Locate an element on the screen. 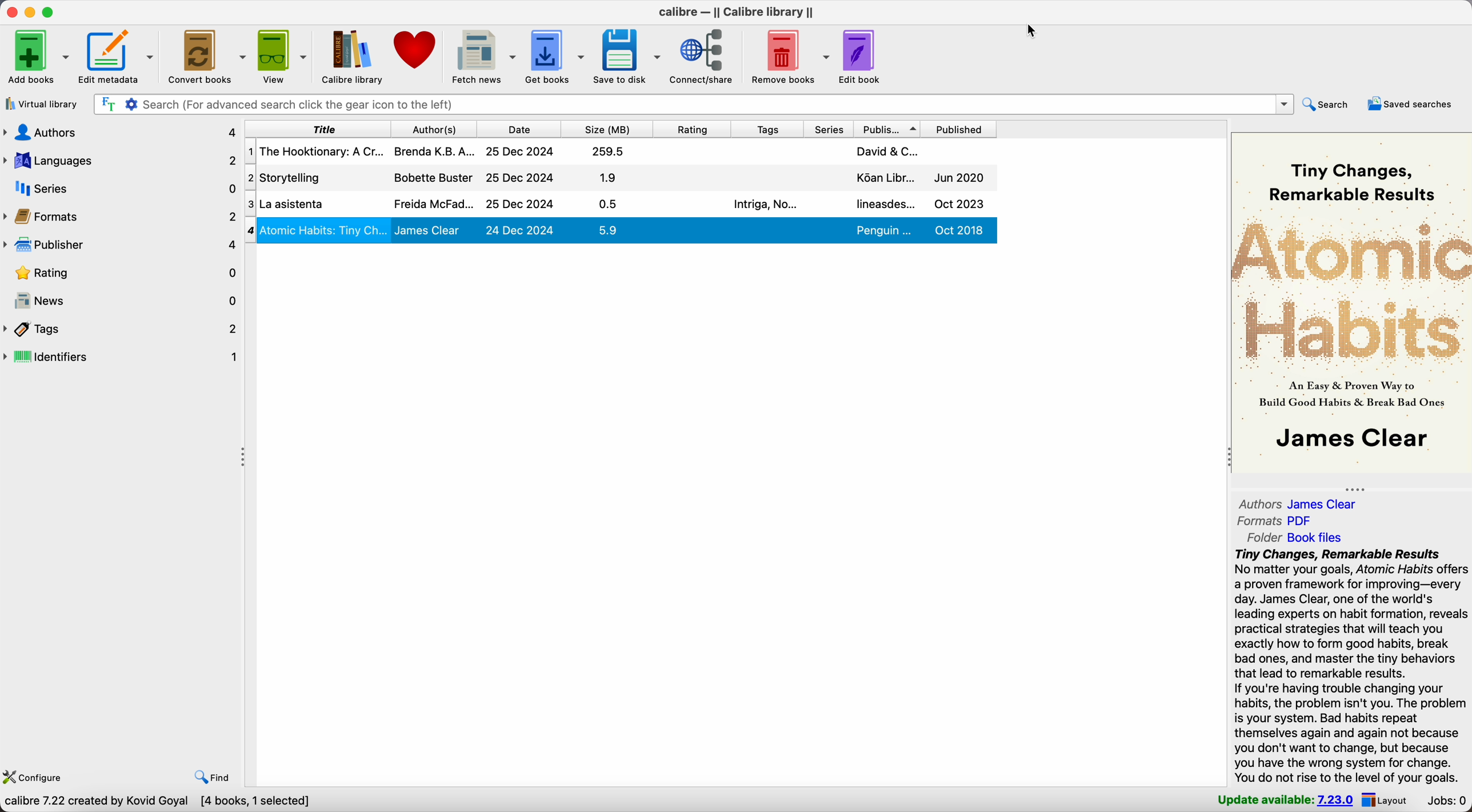 The height and width of the screenshot is (812, 1472). david & C... is located at coordinates (888, 150).